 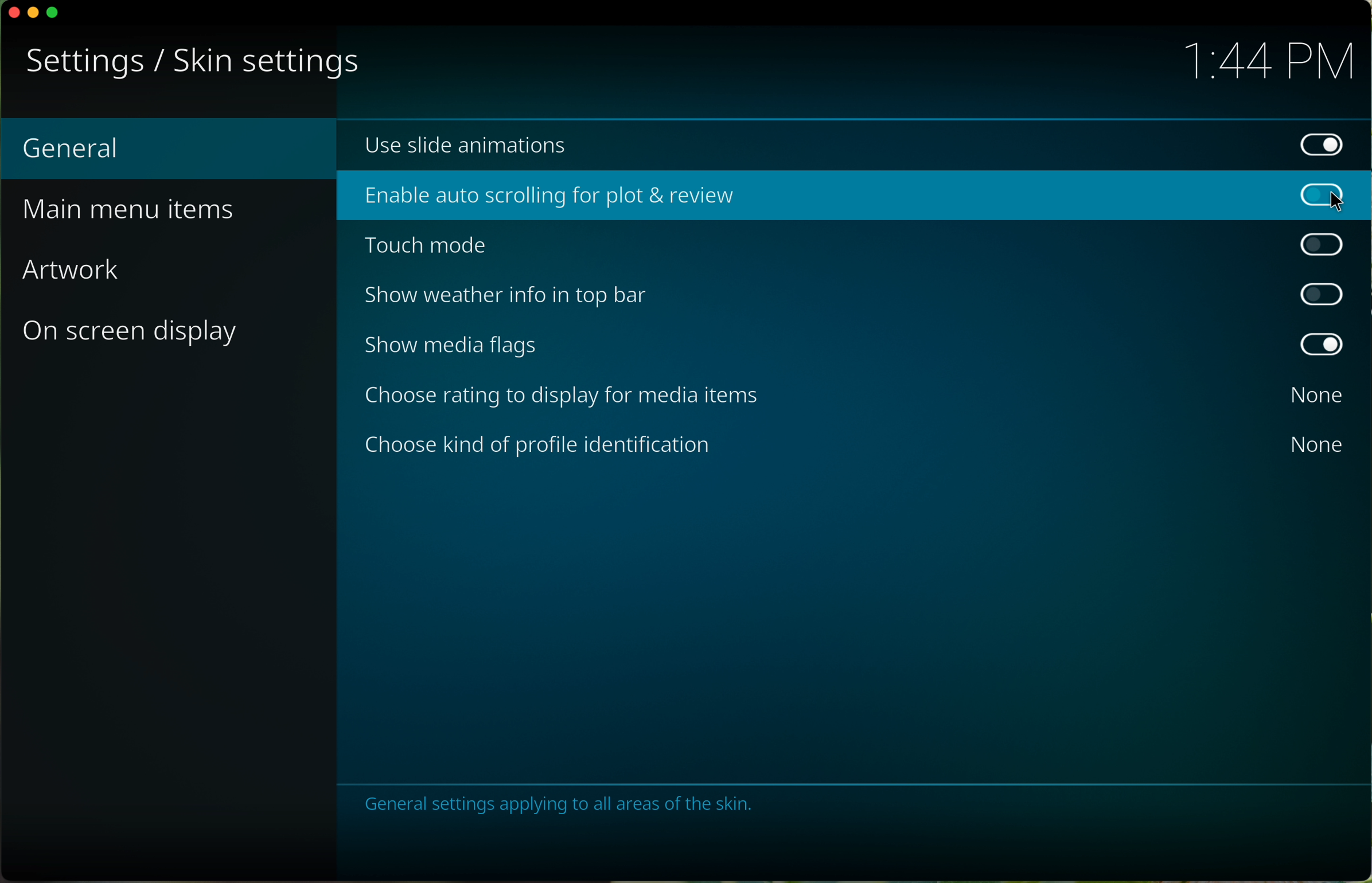 What do you see at coordinates (132, 335) in the screenshot?
I see `on screen display` at bounding box center [132, 335].